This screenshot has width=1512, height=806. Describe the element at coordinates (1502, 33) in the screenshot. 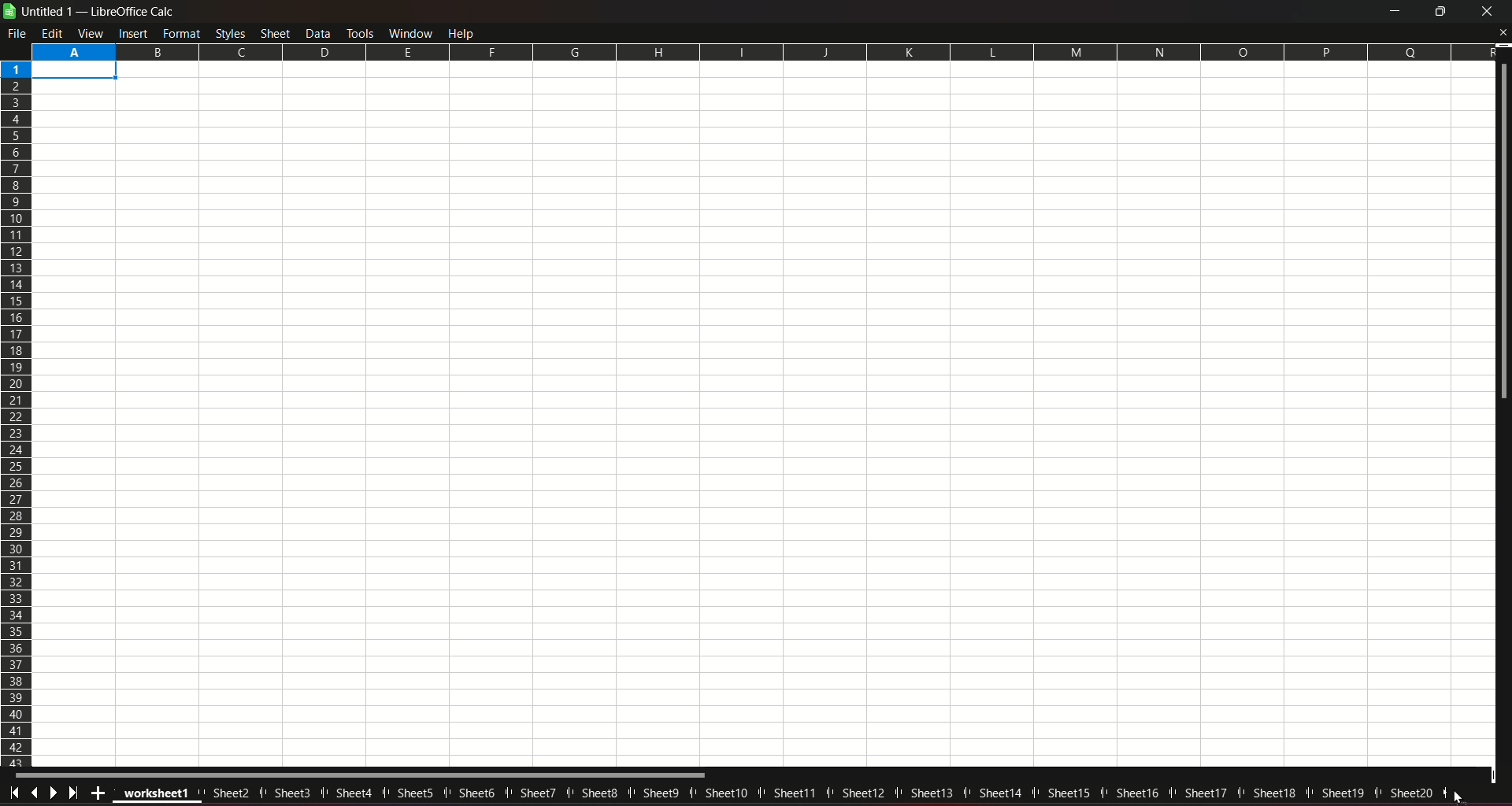

I see `Close` at that location.